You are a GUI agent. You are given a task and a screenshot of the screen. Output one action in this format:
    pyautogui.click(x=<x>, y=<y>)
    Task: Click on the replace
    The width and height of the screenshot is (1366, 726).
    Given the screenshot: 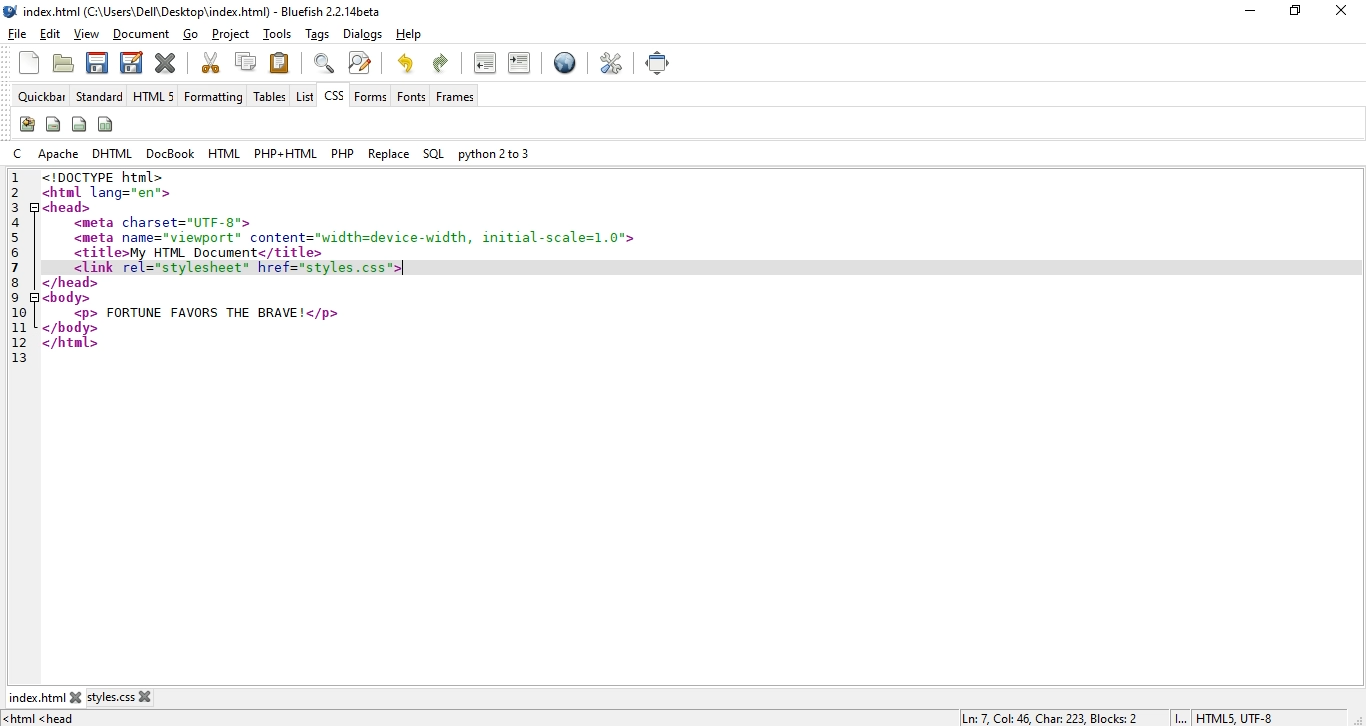 What is the action you would take?
    pyautogui.click(x=389, y=153)
    